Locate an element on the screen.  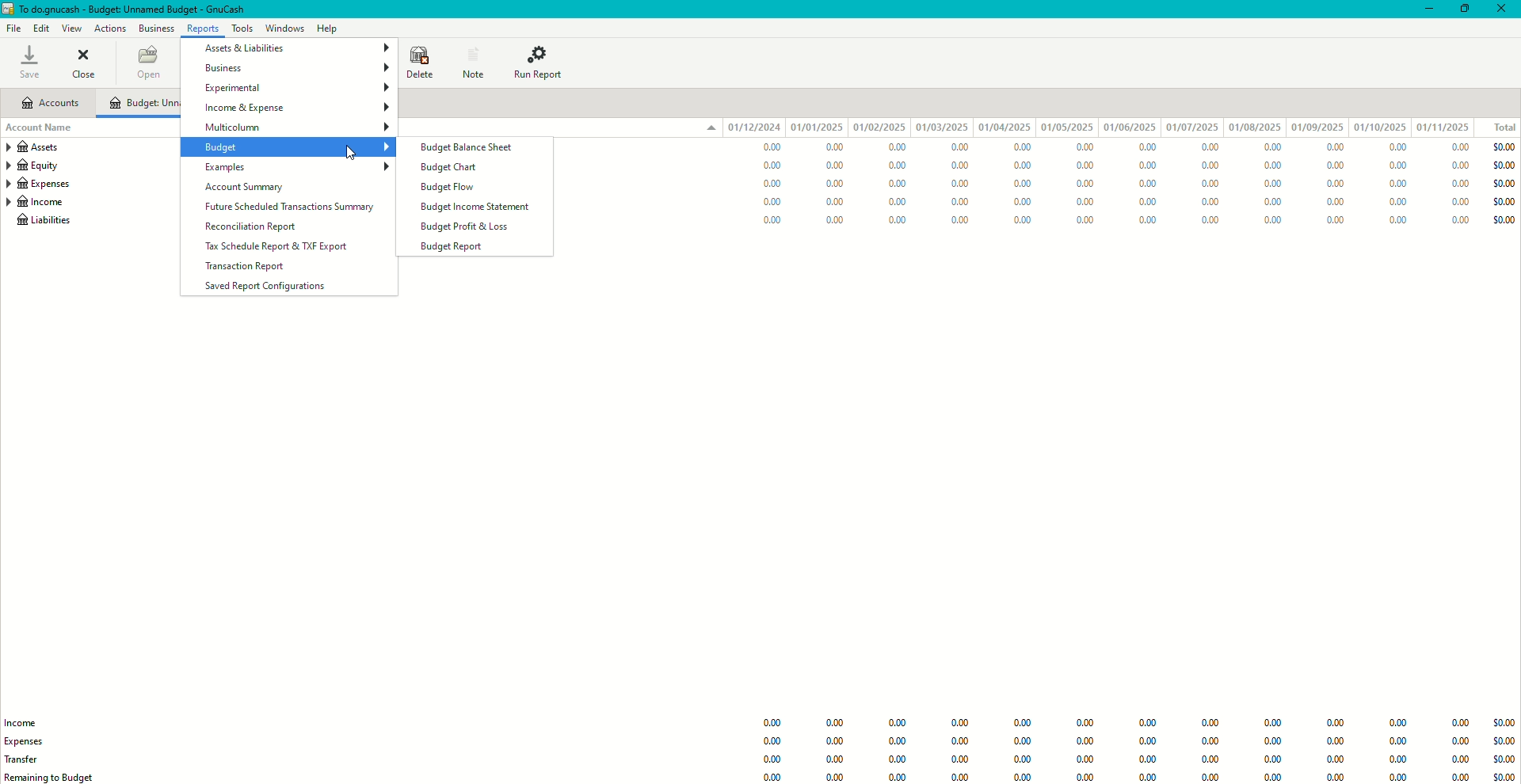
0.00 is located at coordinates (901, 147).